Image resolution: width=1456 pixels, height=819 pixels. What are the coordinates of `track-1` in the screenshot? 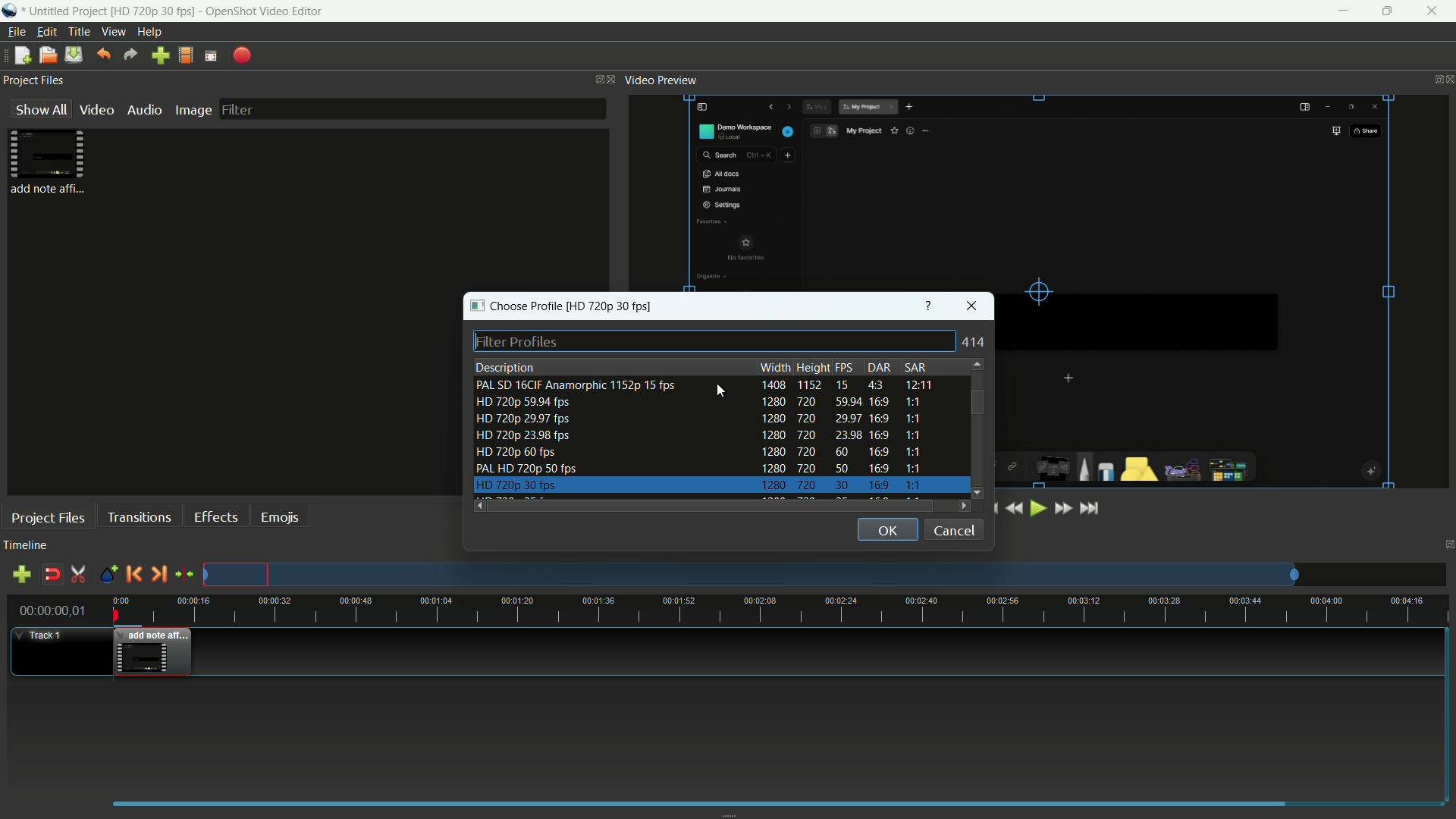 It's located at (58, 651).